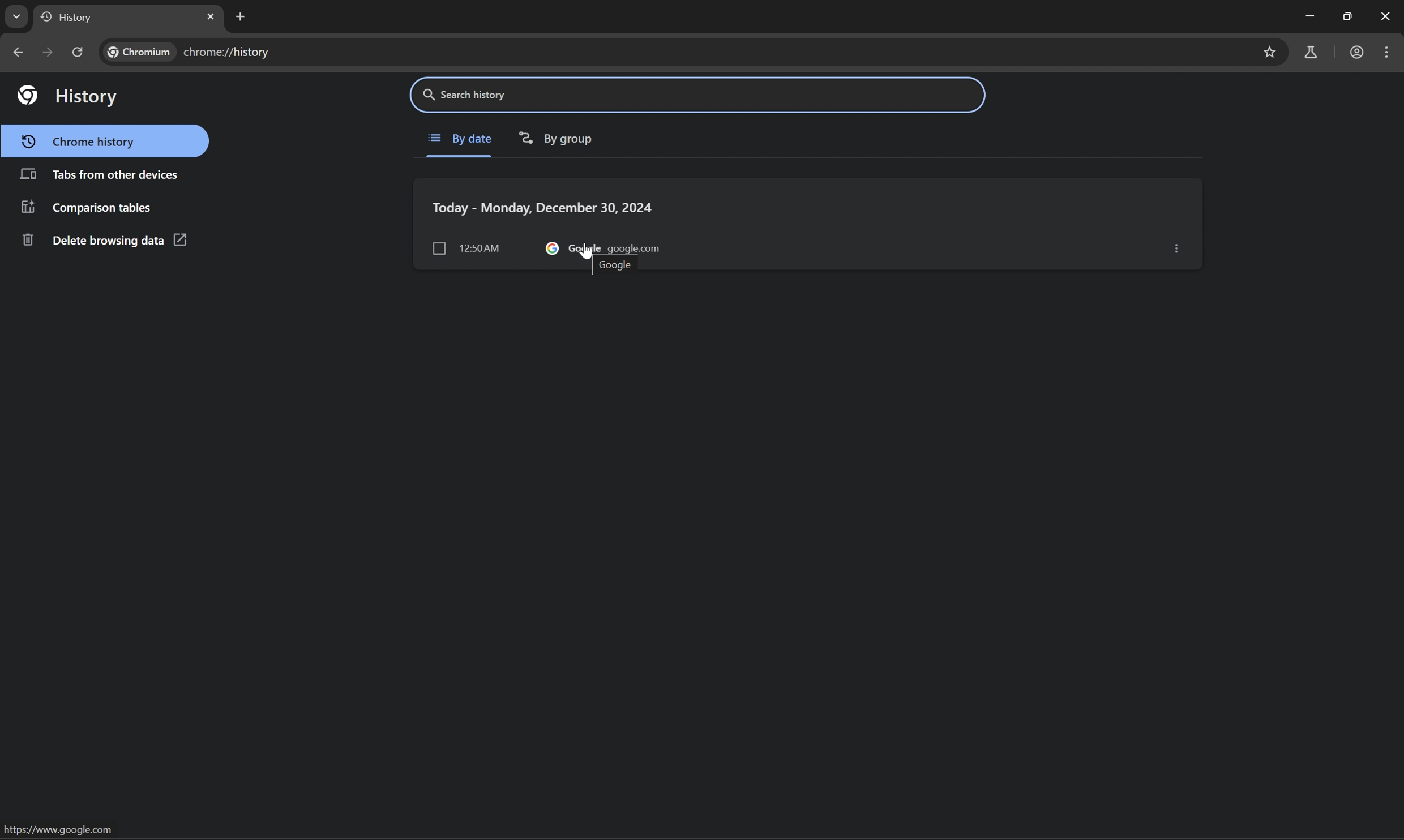 The image size is (1404, 840). I want to click on work, so click(1356, 51).